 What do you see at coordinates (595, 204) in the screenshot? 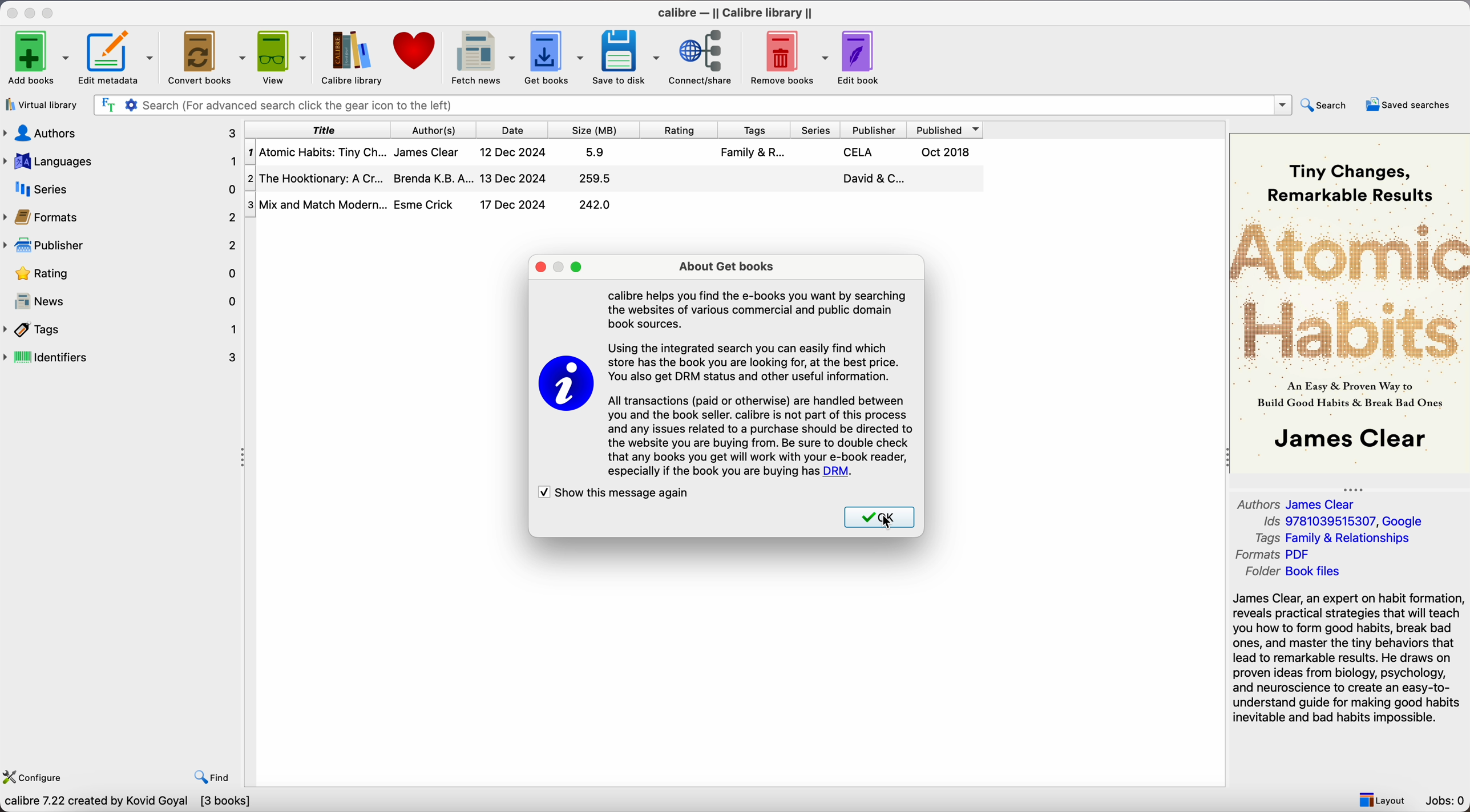
I see `242.0` at bounding box center [595, 204].